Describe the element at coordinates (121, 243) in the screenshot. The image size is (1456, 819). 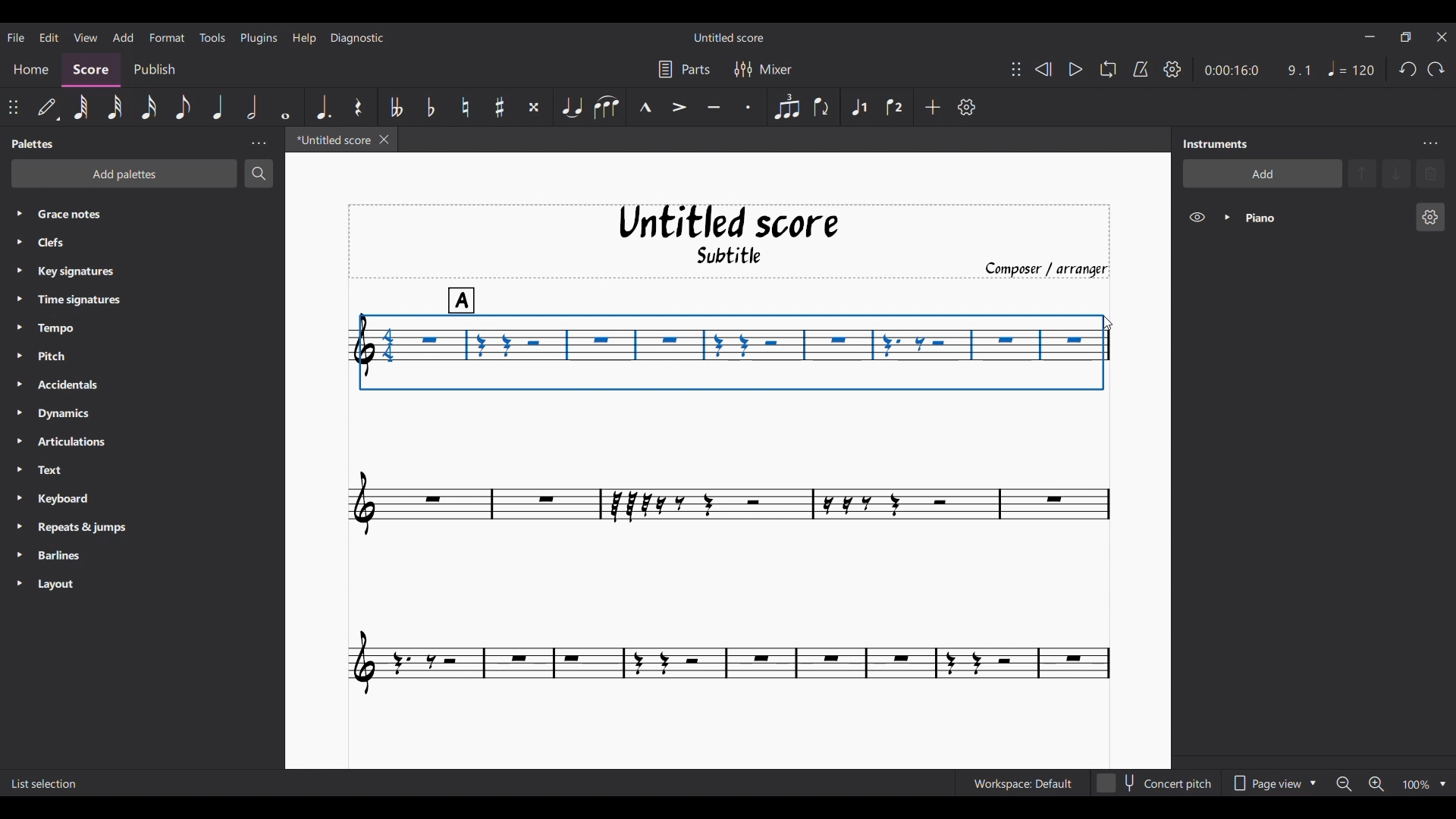
I see `Clefs` at that location.